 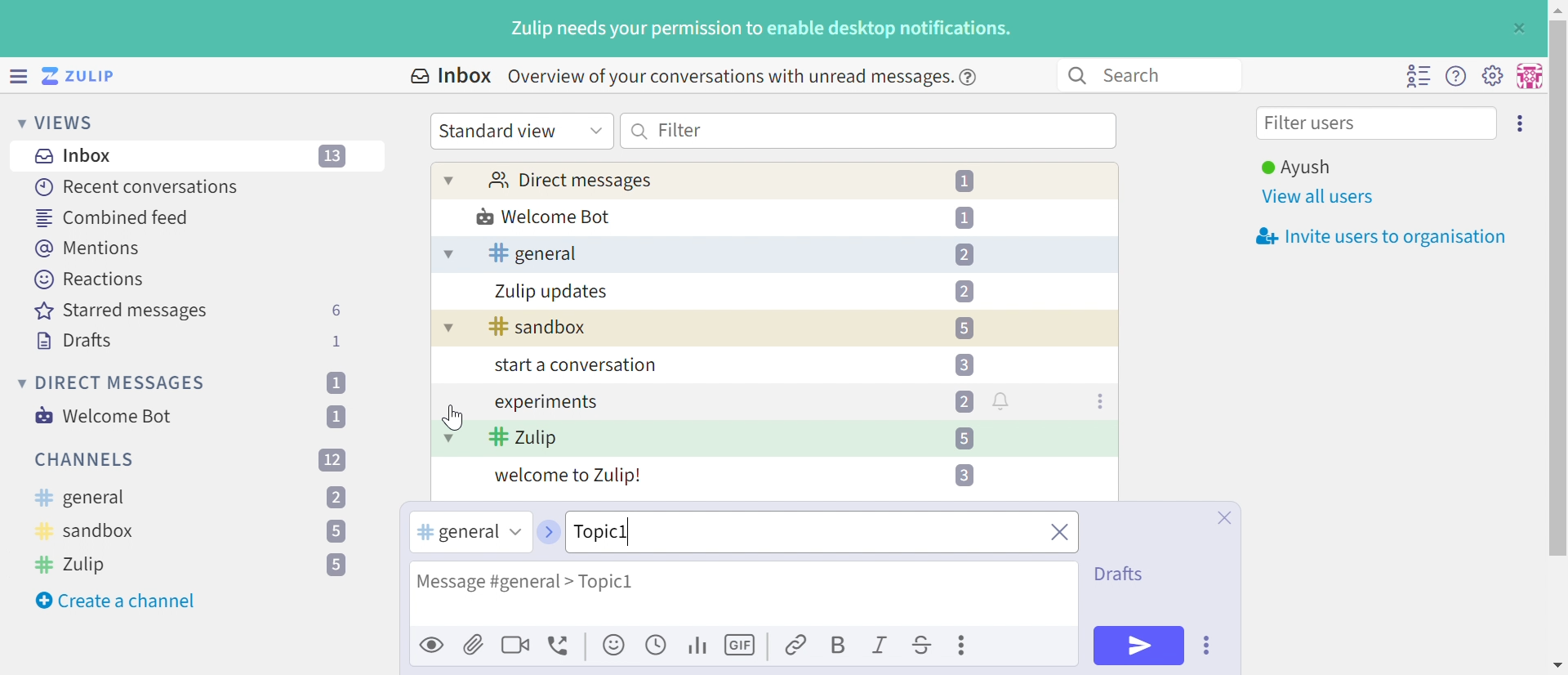 What do you see at coordinates (964, 401) in the screenshot?
I see `2` at bounding box center [964, 401].